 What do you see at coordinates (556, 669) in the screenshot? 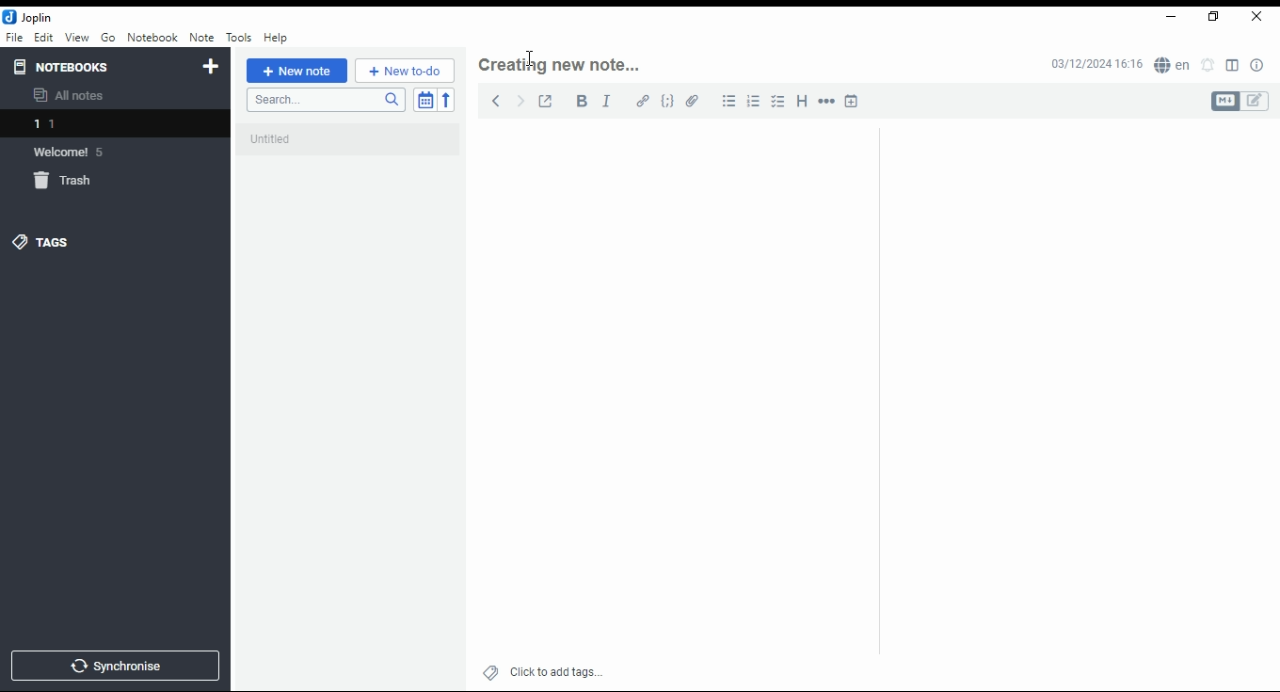
I see `click to add tags` at bounding box center [556, 669].